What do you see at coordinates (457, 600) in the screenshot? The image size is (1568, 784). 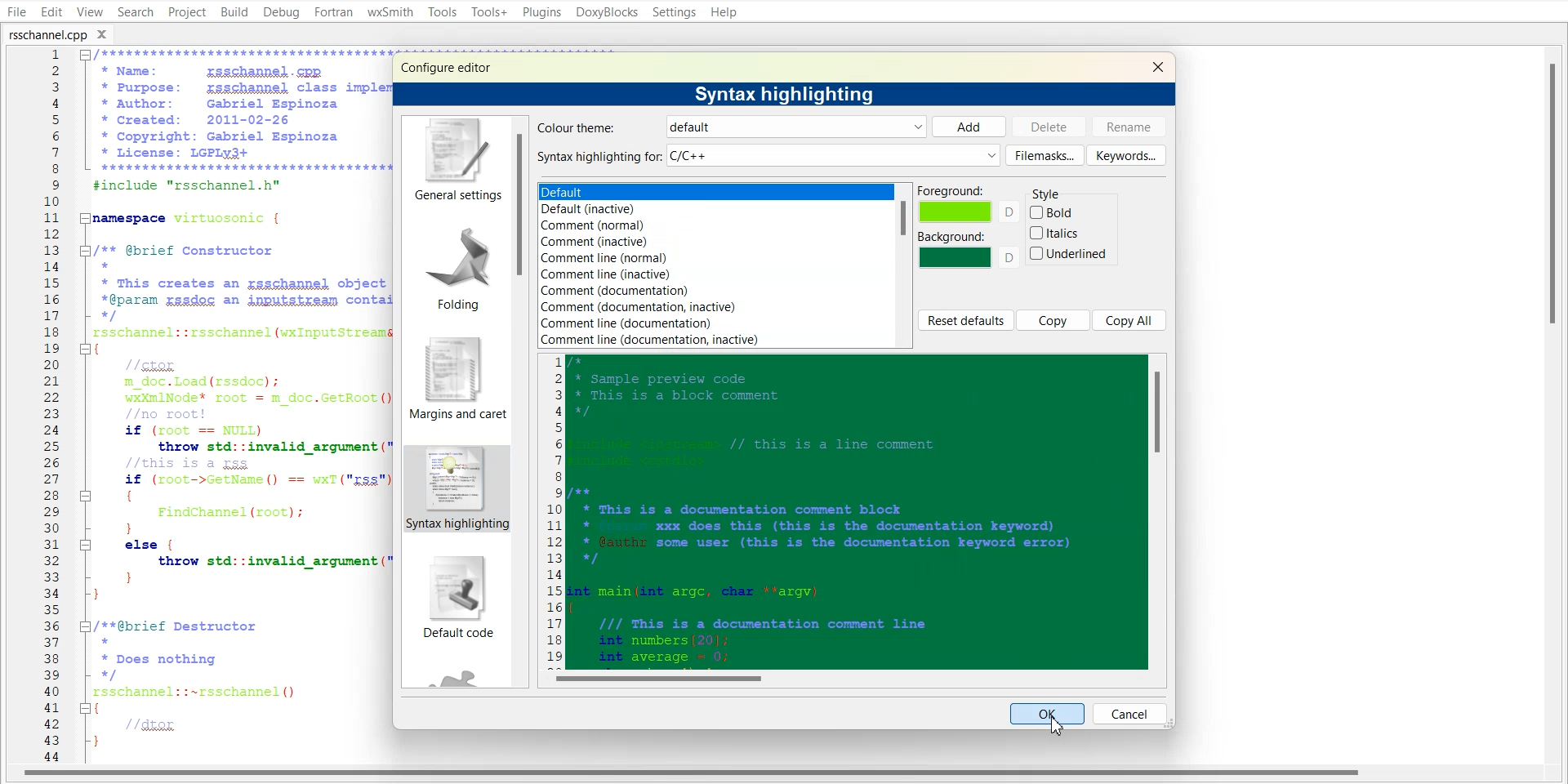 I see `Default code` at bounding box center [457, 600].